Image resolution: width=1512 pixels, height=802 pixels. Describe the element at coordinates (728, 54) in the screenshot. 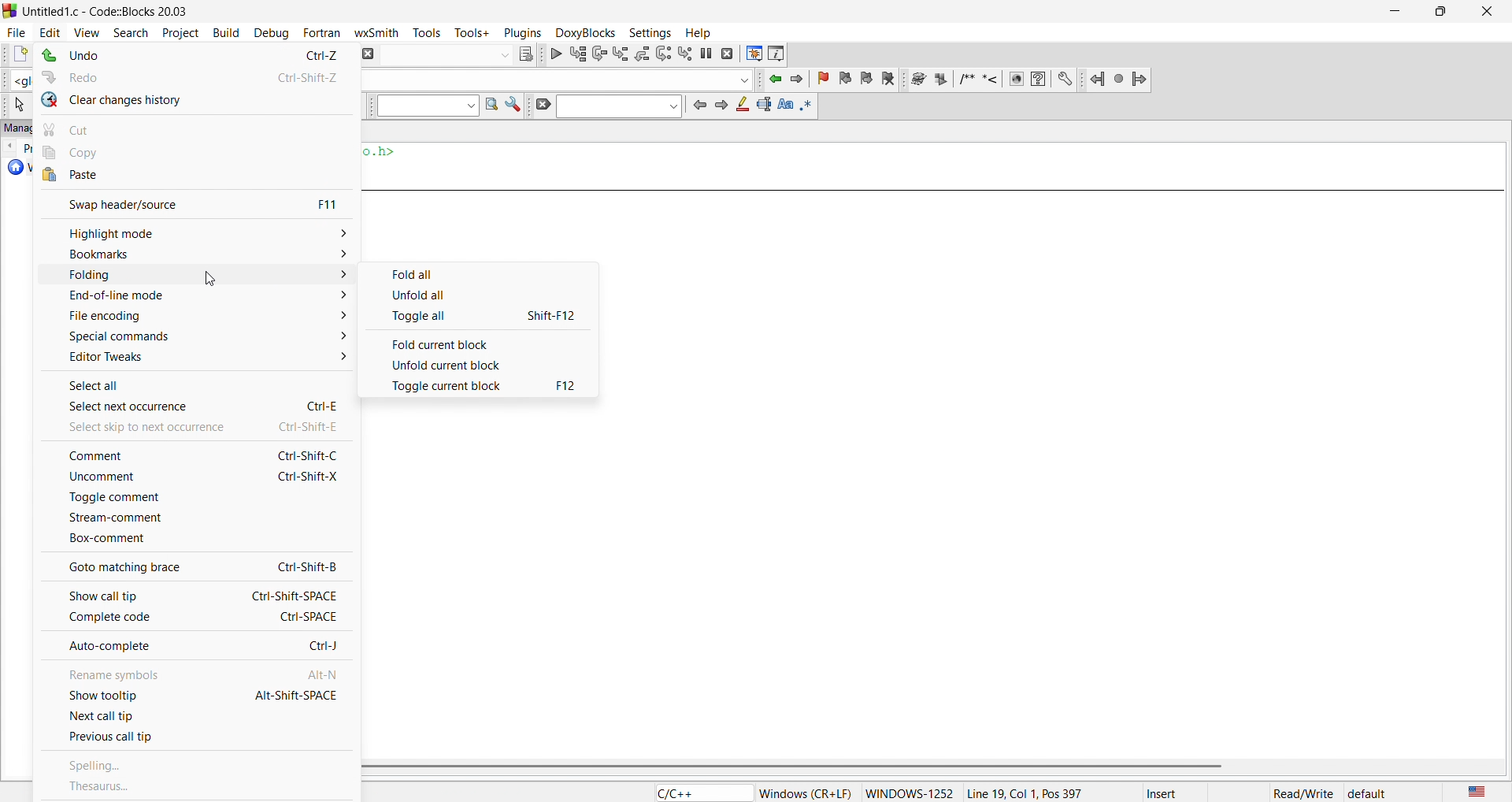

I see `stop debugging` at that location.